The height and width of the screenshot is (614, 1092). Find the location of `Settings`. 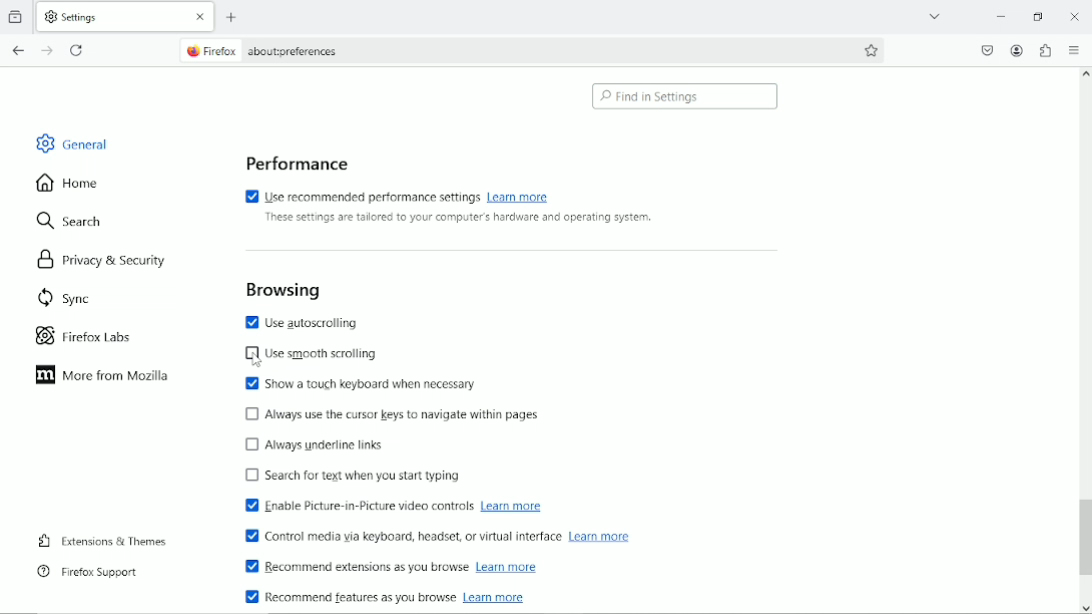

Settings is located at coordinates (110, 16).